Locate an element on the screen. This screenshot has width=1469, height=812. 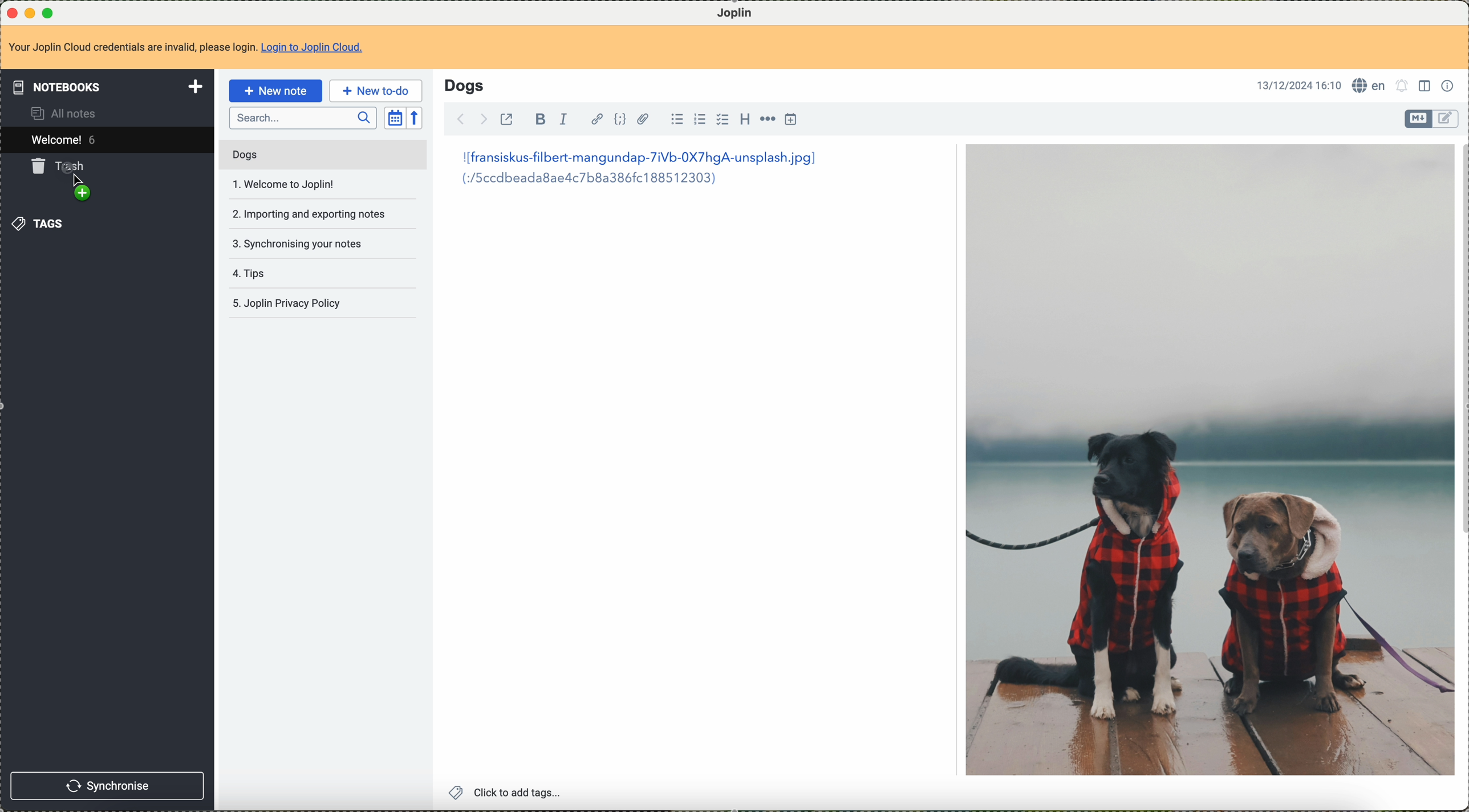
synchronising your notes is located at coordinates (301, 243).